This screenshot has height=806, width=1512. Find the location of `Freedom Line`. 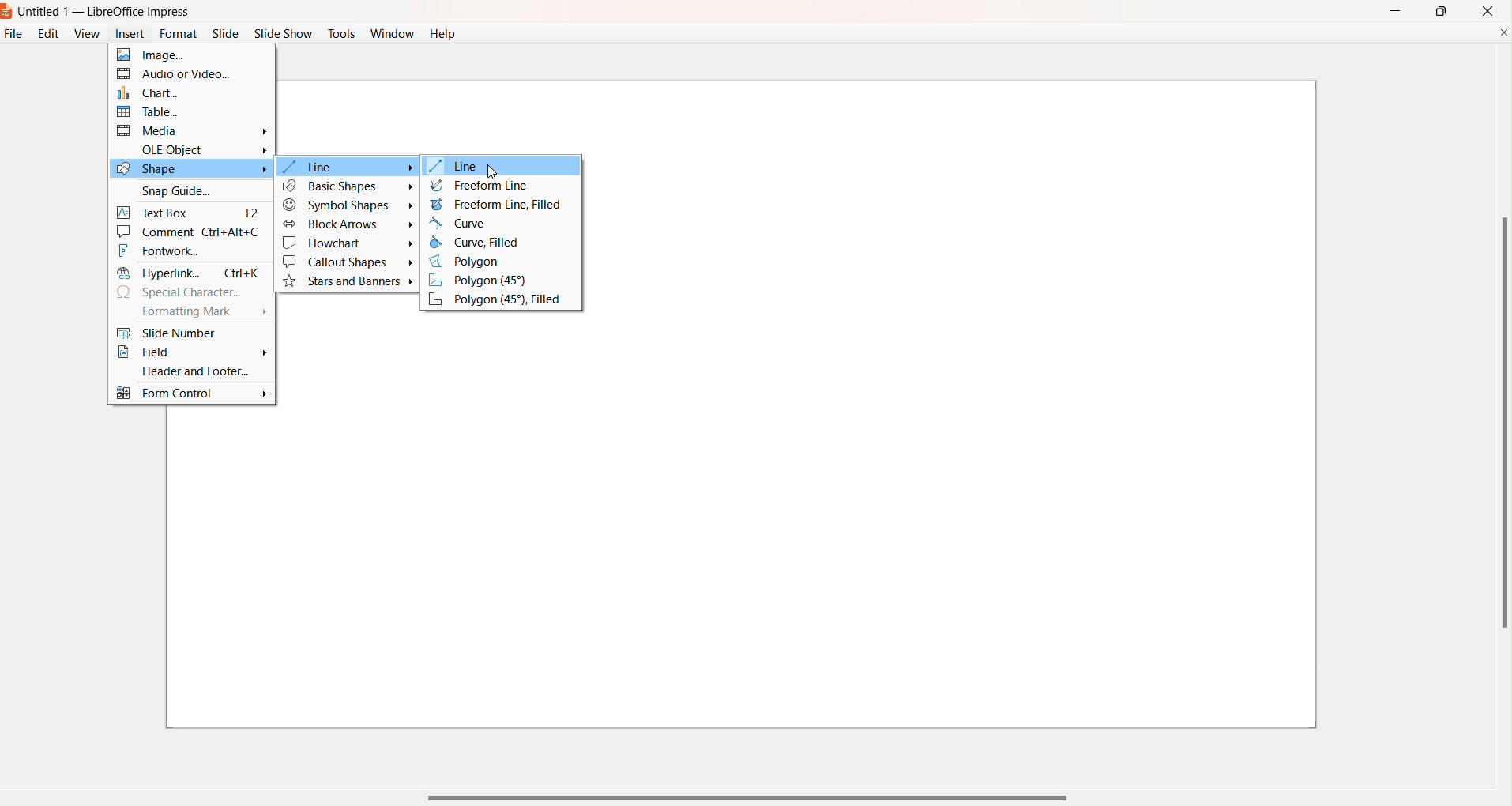

Freedom Line is located at coordinates (481, 186).